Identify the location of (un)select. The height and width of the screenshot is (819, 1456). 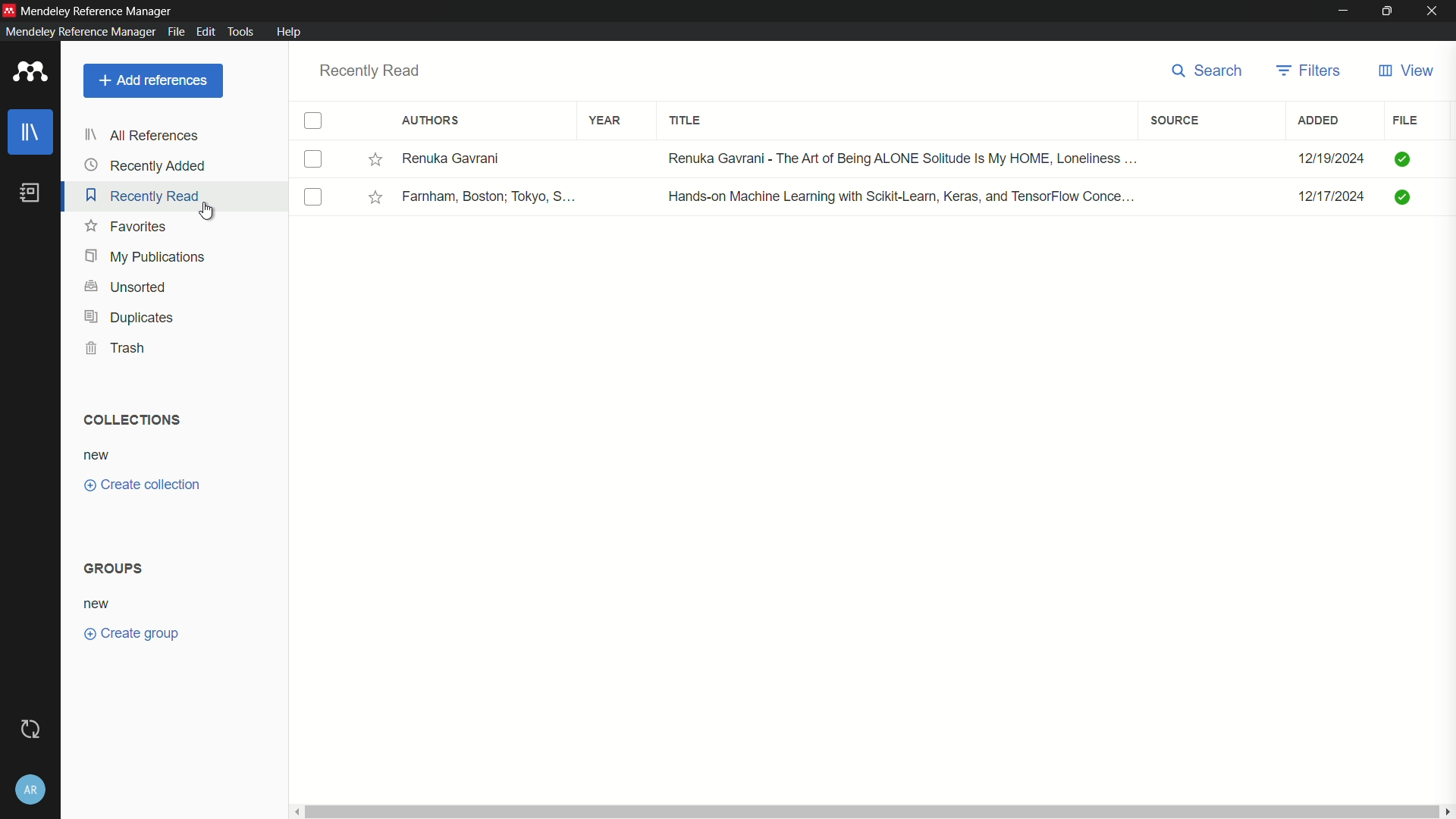
(314, 198).